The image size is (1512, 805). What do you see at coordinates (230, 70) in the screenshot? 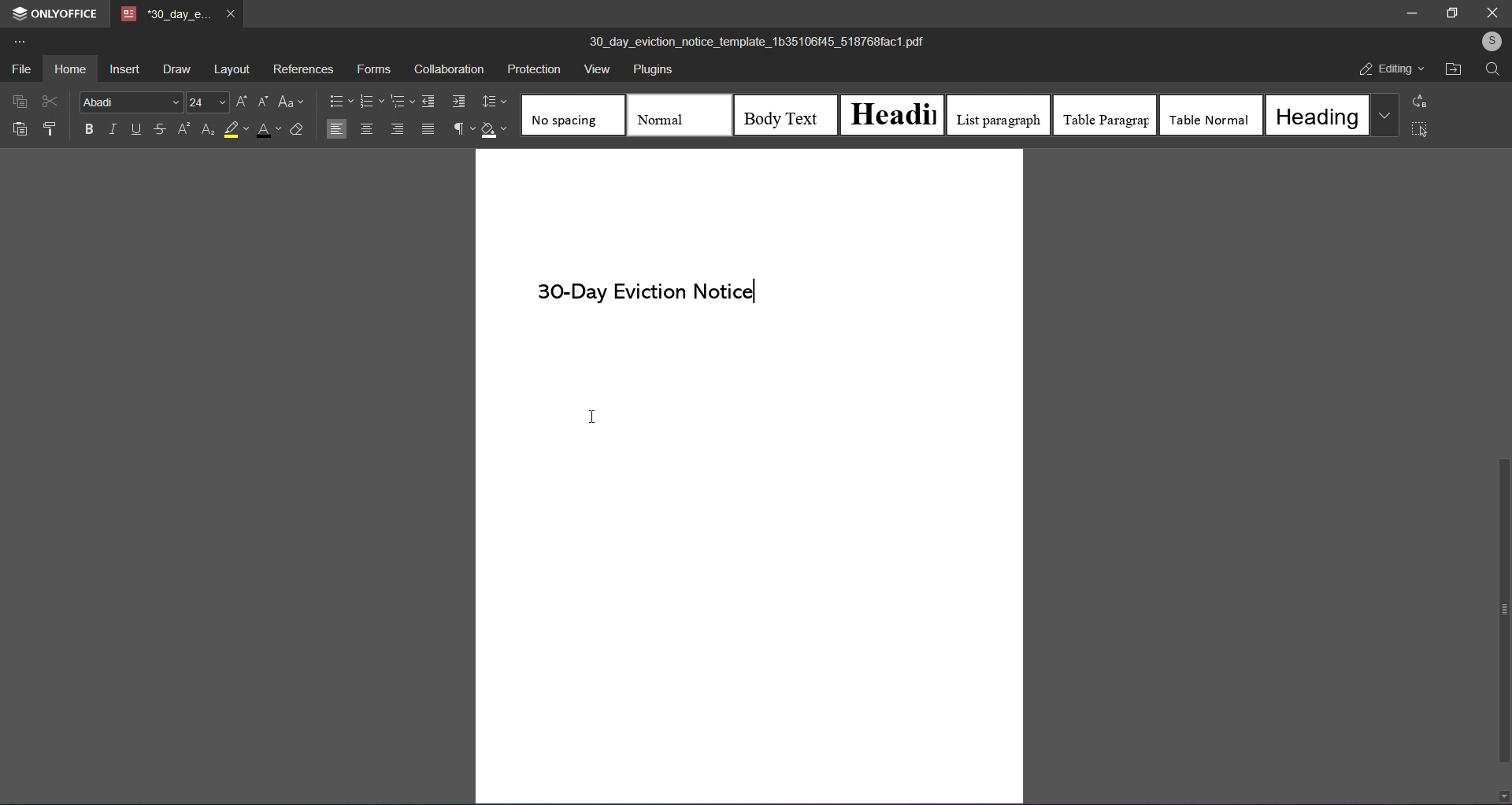
I see `layout` at bounding box center [230, 70].